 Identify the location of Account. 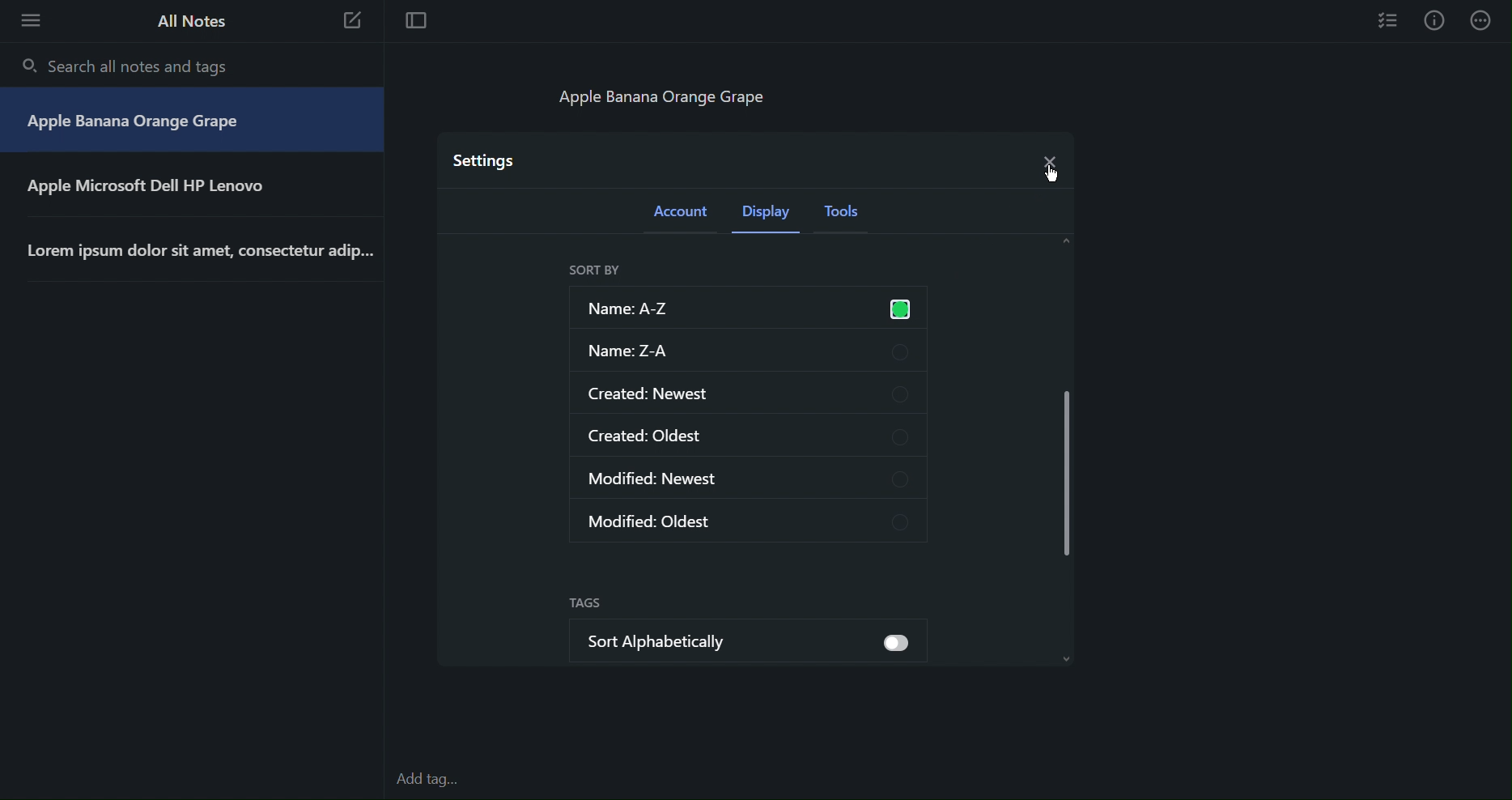
(682, 215).